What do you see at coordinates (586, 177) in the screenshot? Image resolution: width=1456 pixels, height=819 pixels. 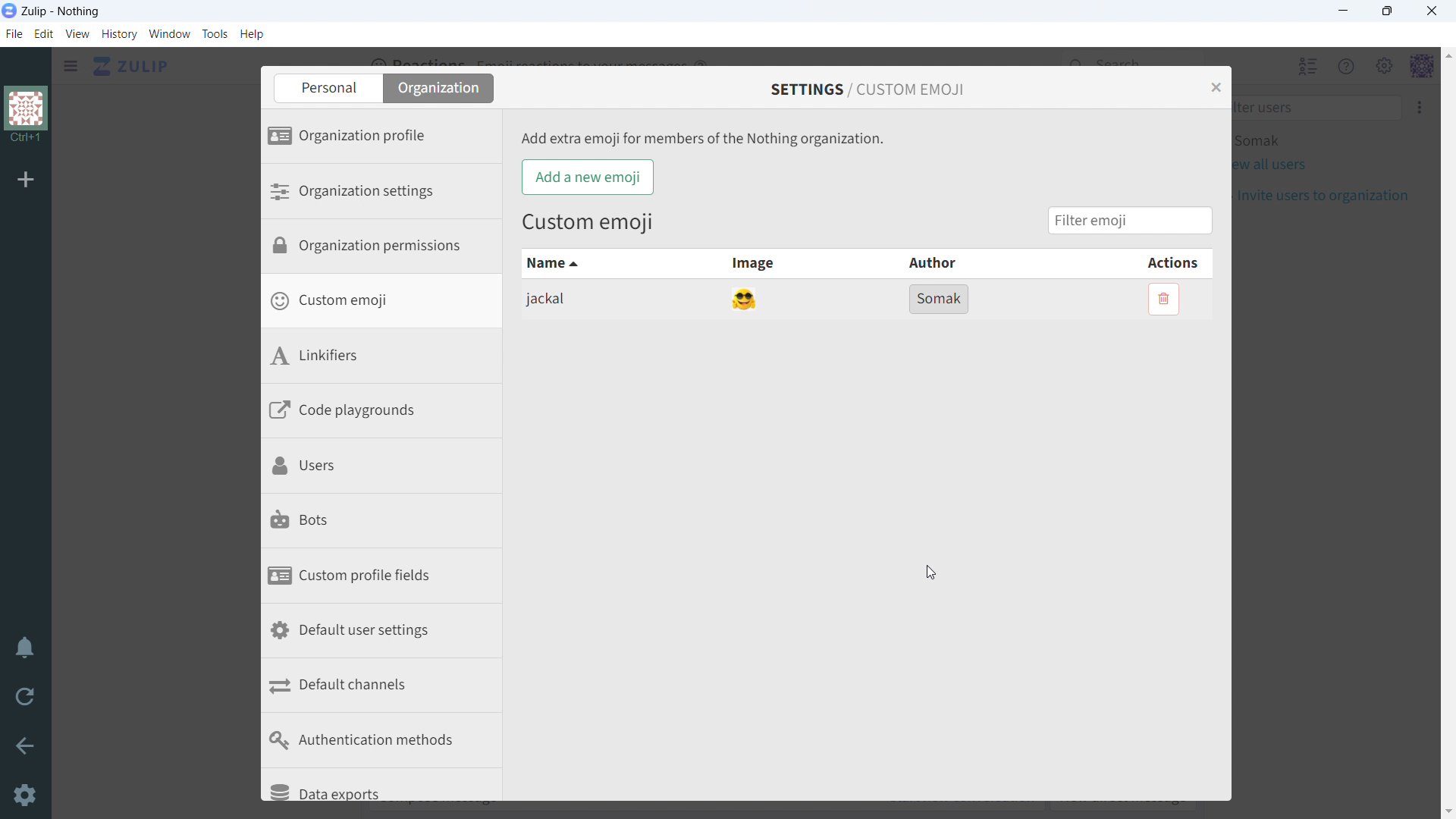 I see `add a new emoji` at bounding box center [586, 177].